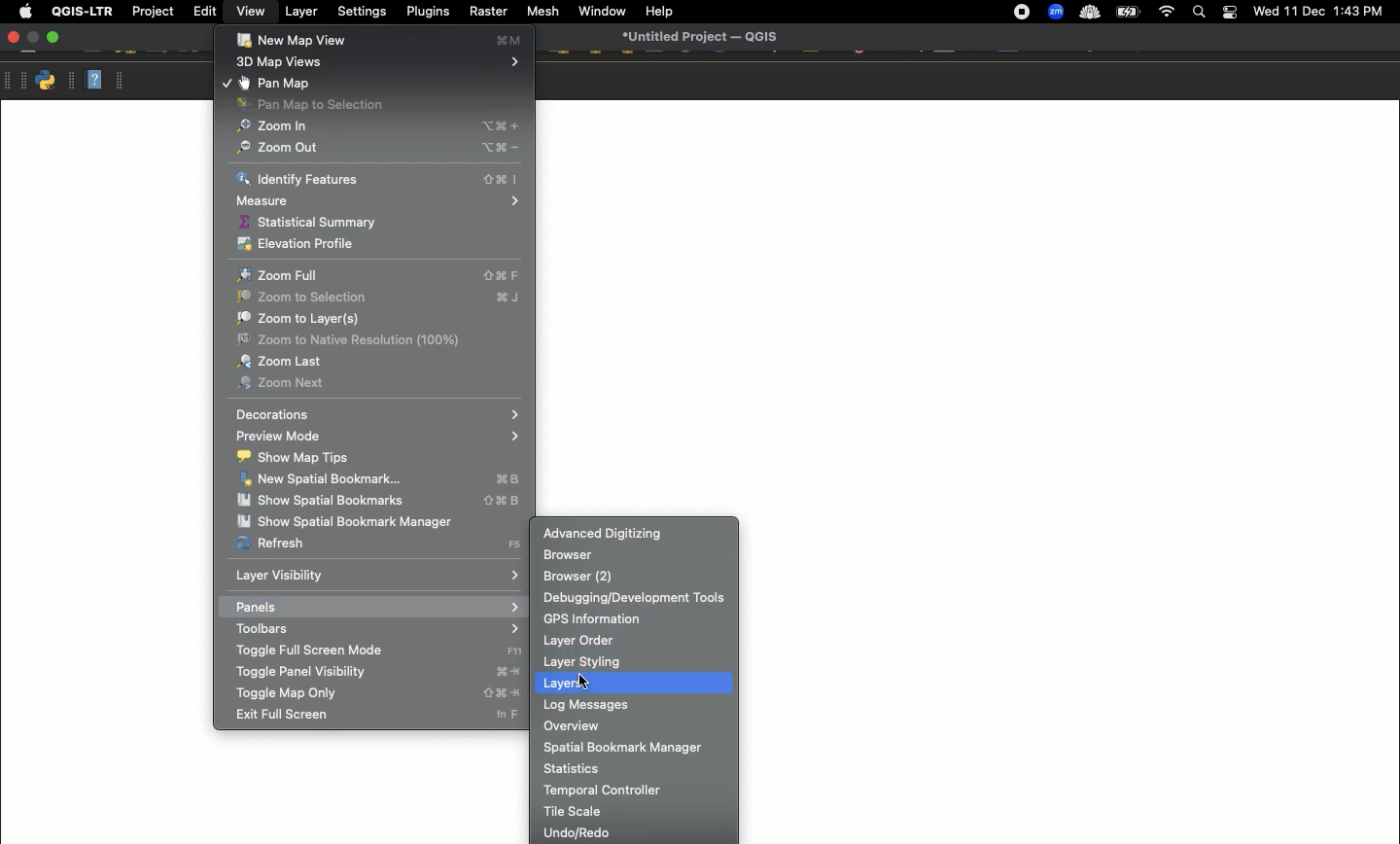  I want to click on 1:43 PM, so click(1361, 11).